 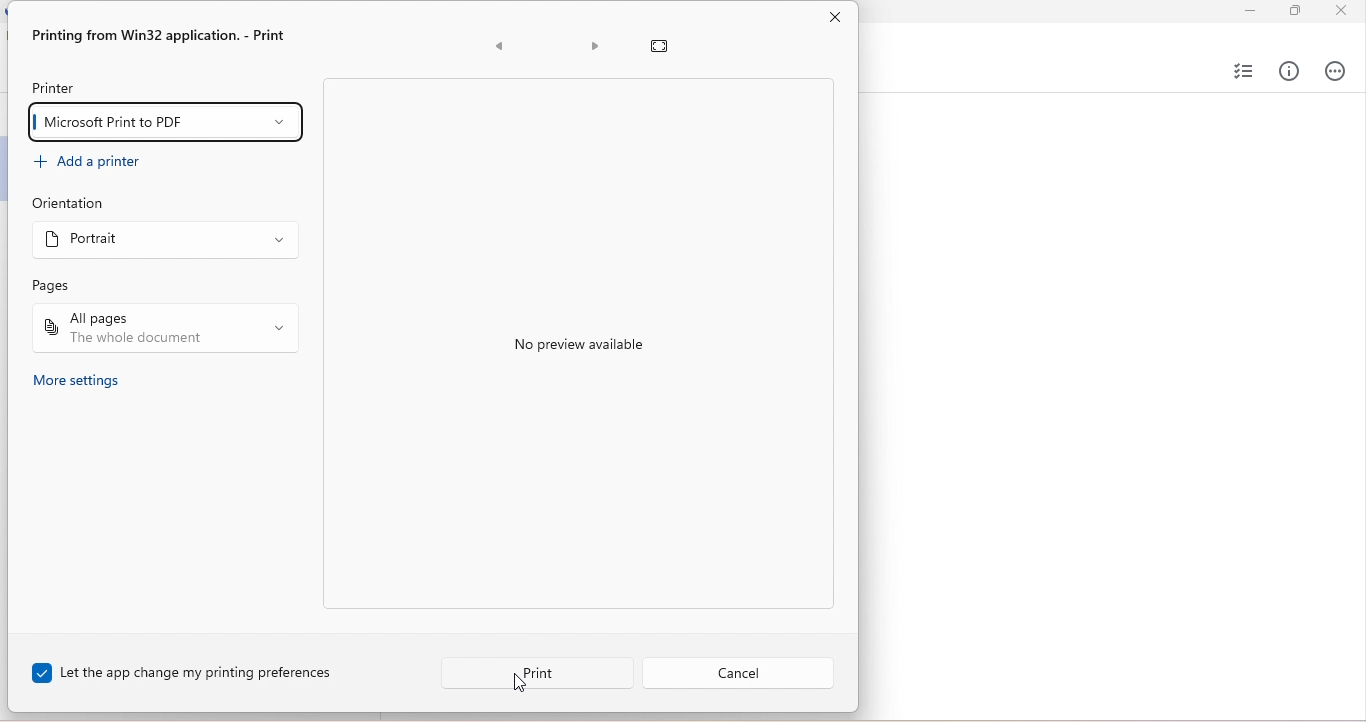 What do you see at coordinates (55, 88) in the screenshot?
I see `printer` at bounding box center [55, 88].